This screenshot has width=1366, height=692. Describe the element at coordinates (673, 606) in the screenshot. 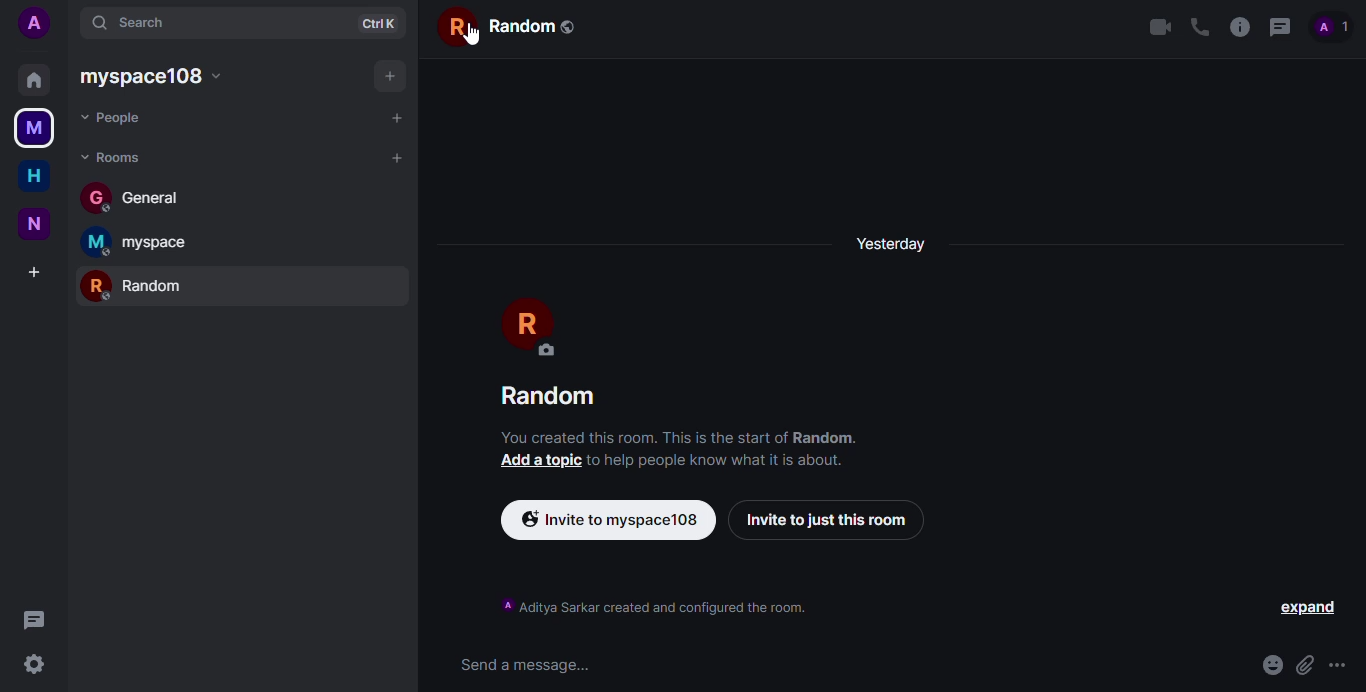

I see `Aditya Sarkar created and configured the room.` at that location.